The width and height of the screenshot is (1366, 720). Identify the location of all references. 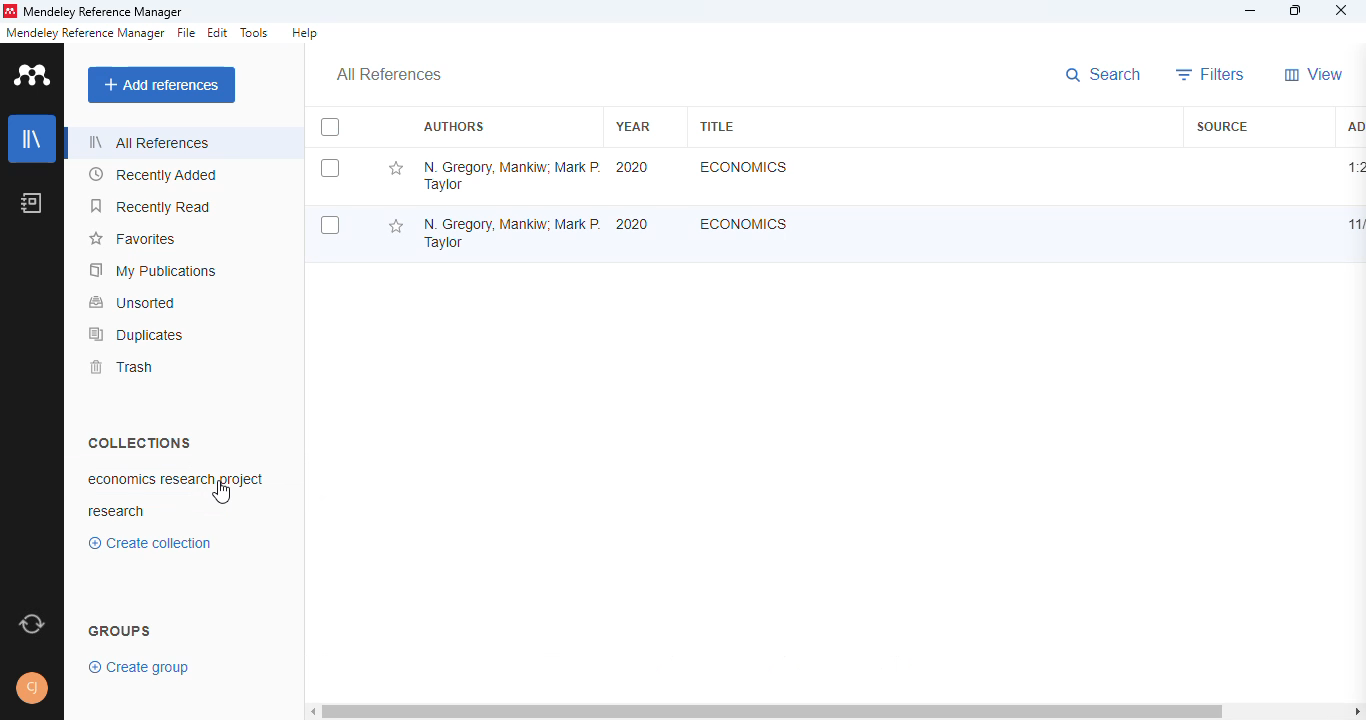
(149, 142).